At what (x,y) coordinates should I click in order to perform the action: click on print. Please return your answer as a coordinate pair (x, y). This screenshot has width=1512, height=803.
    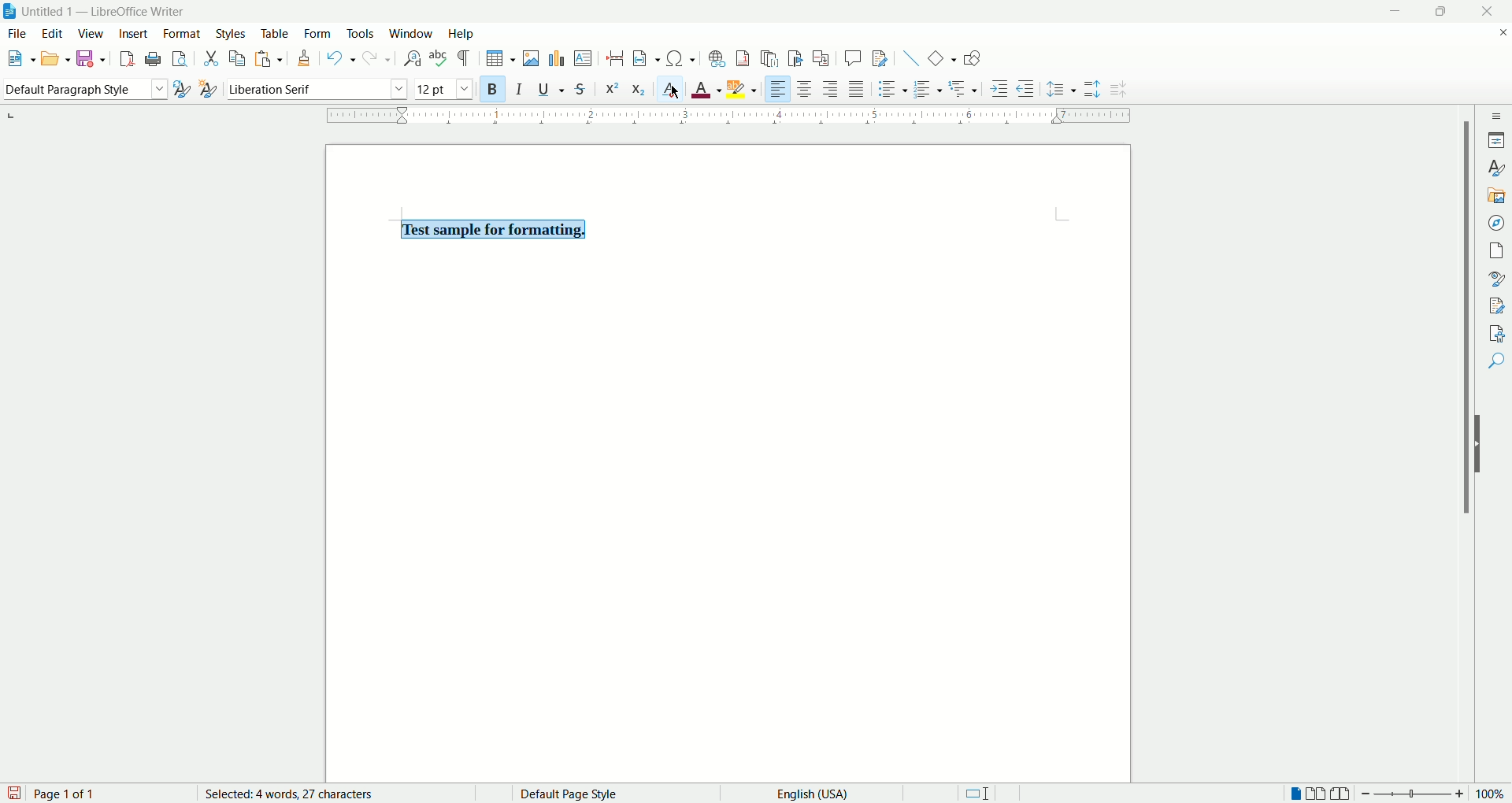
    Looking at the image, I should click on (154, 60).